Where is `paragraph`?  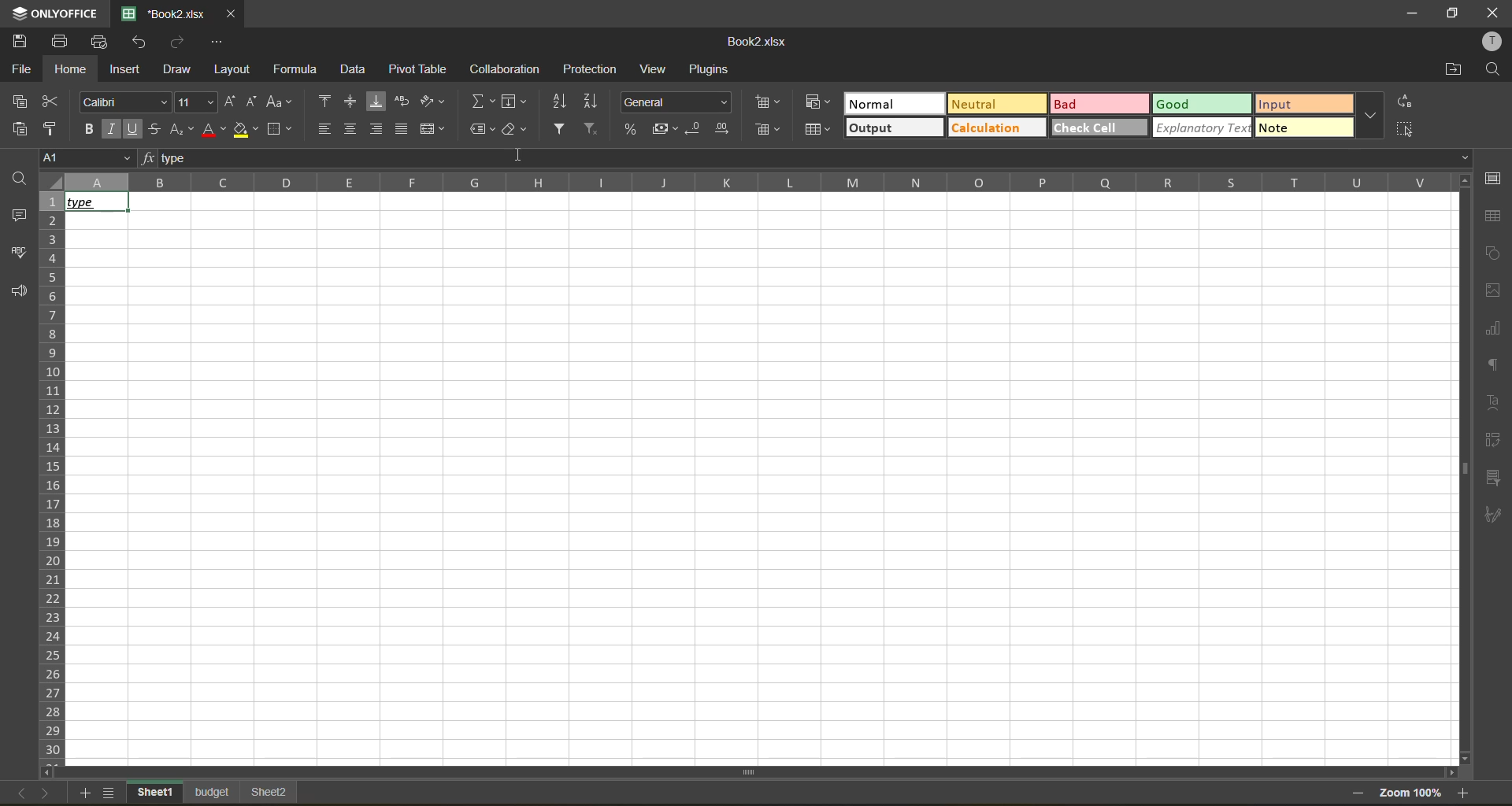 paragraph is located at coordinates (1493, 365).